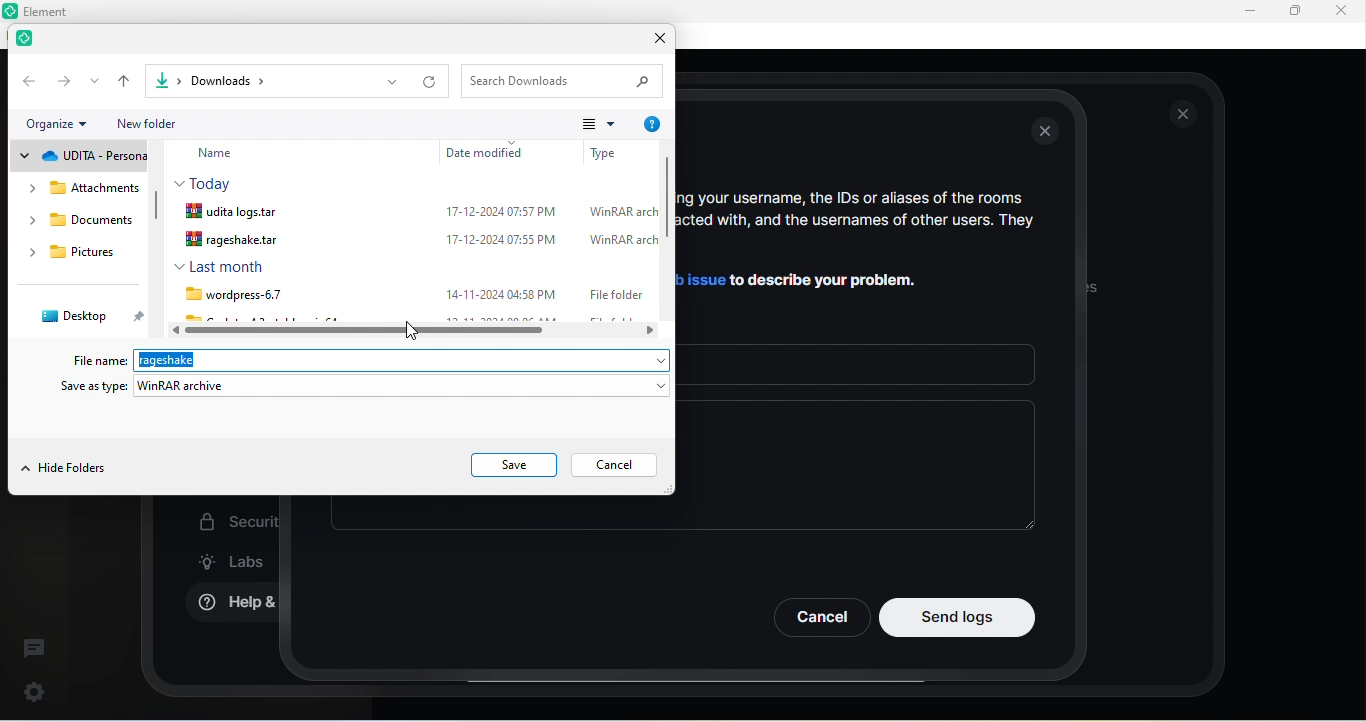 The height and width of the screenshot is (722, 1366). I want to click on minimize, so click(1246, 12).